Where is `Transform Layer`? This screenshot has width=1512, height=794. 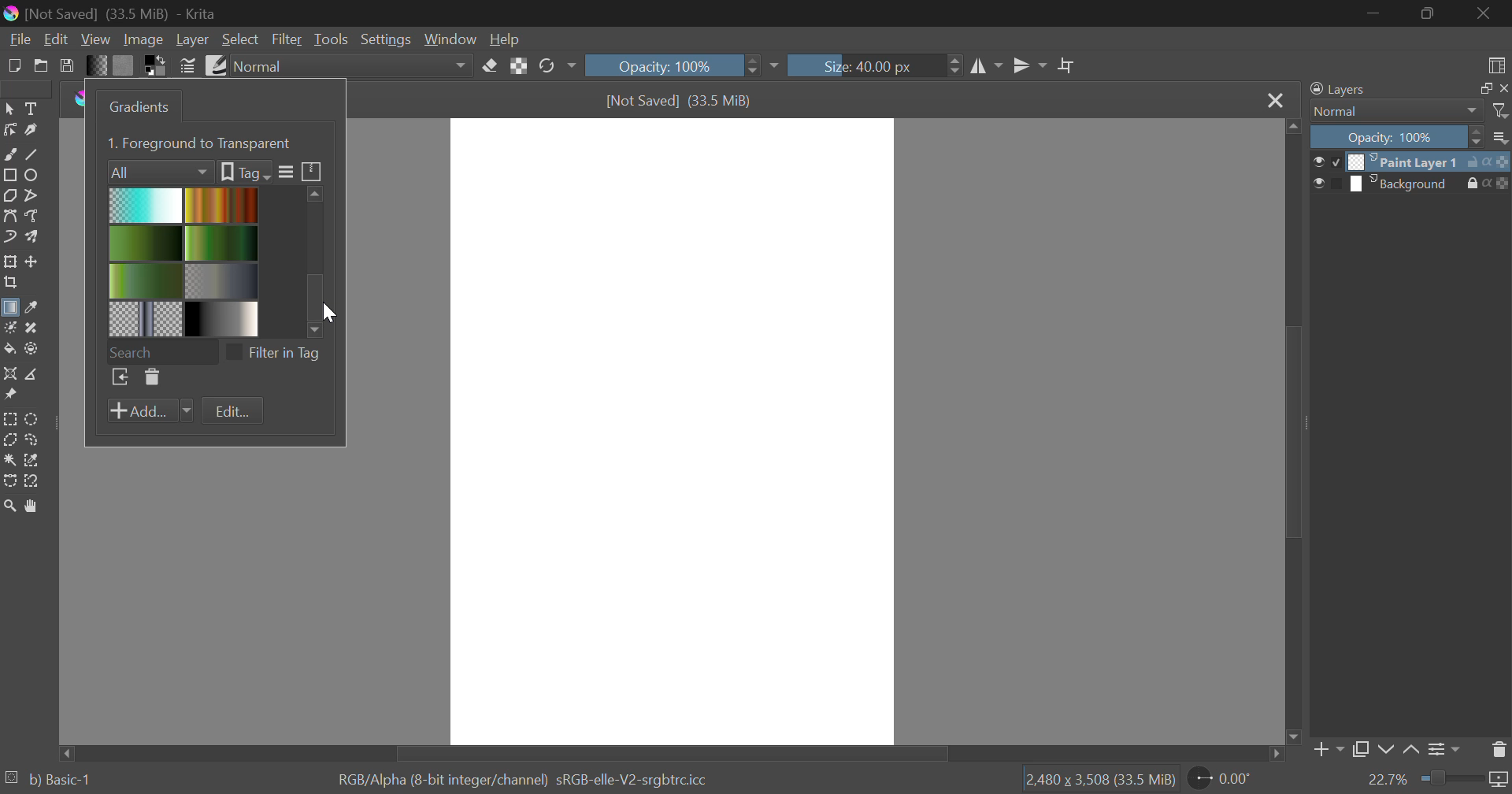 Transform Layer is located at coordinates (9, 262).